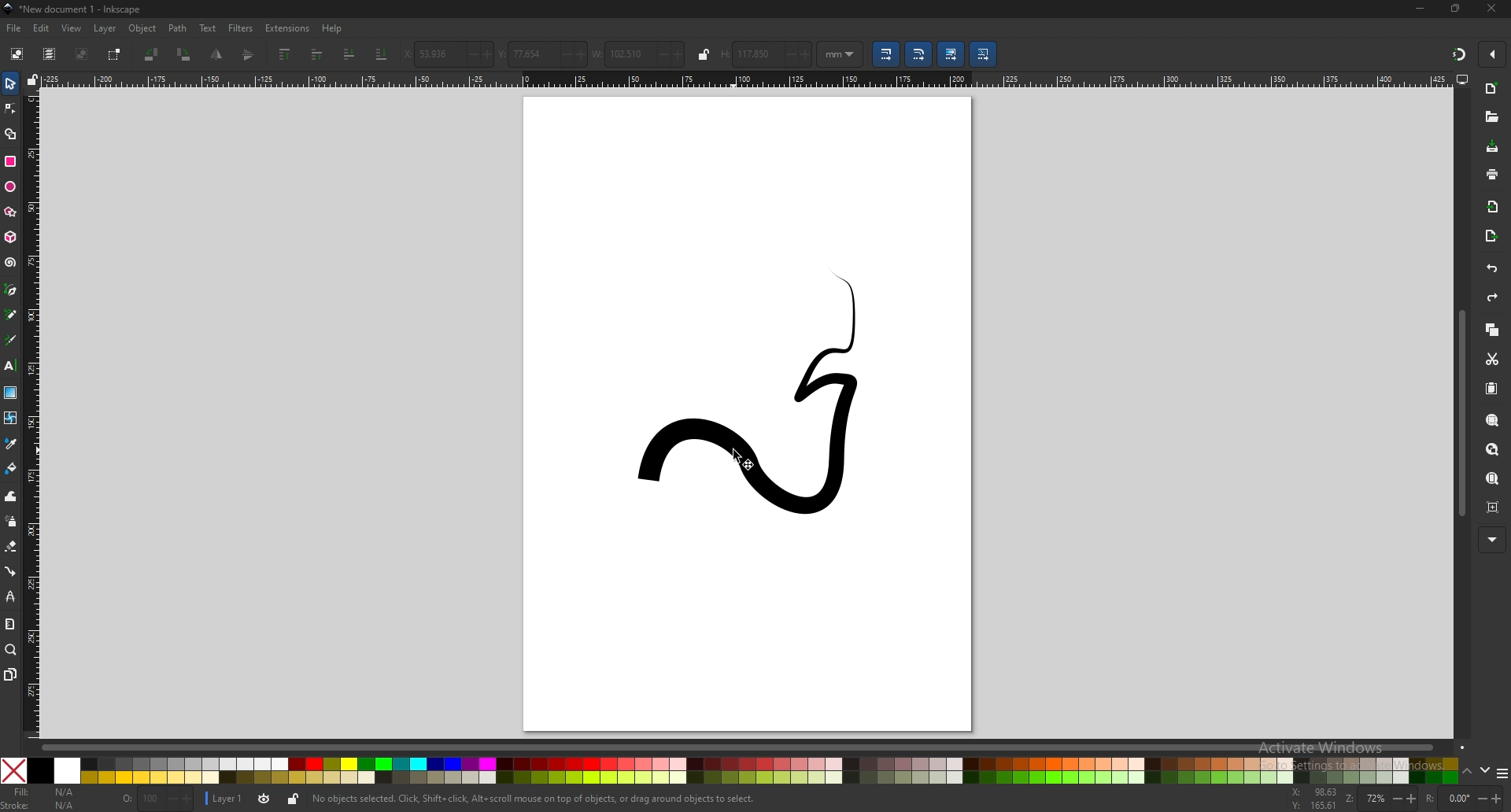 This screenshot has width=1511, height=812. I want to click on lock, so click(703, 54).